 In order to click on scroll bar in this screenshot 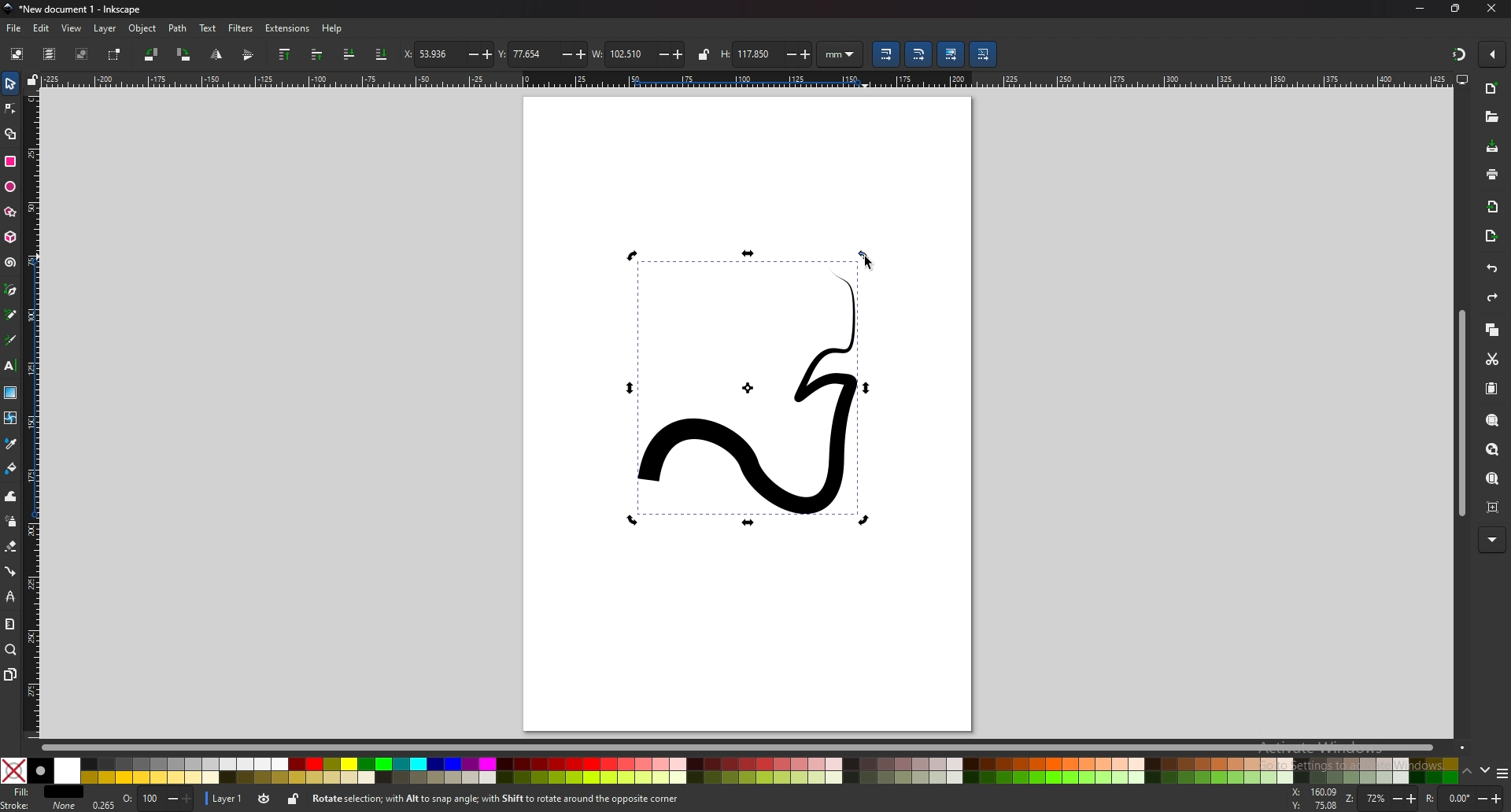, I will do `click(1461, 413)`.